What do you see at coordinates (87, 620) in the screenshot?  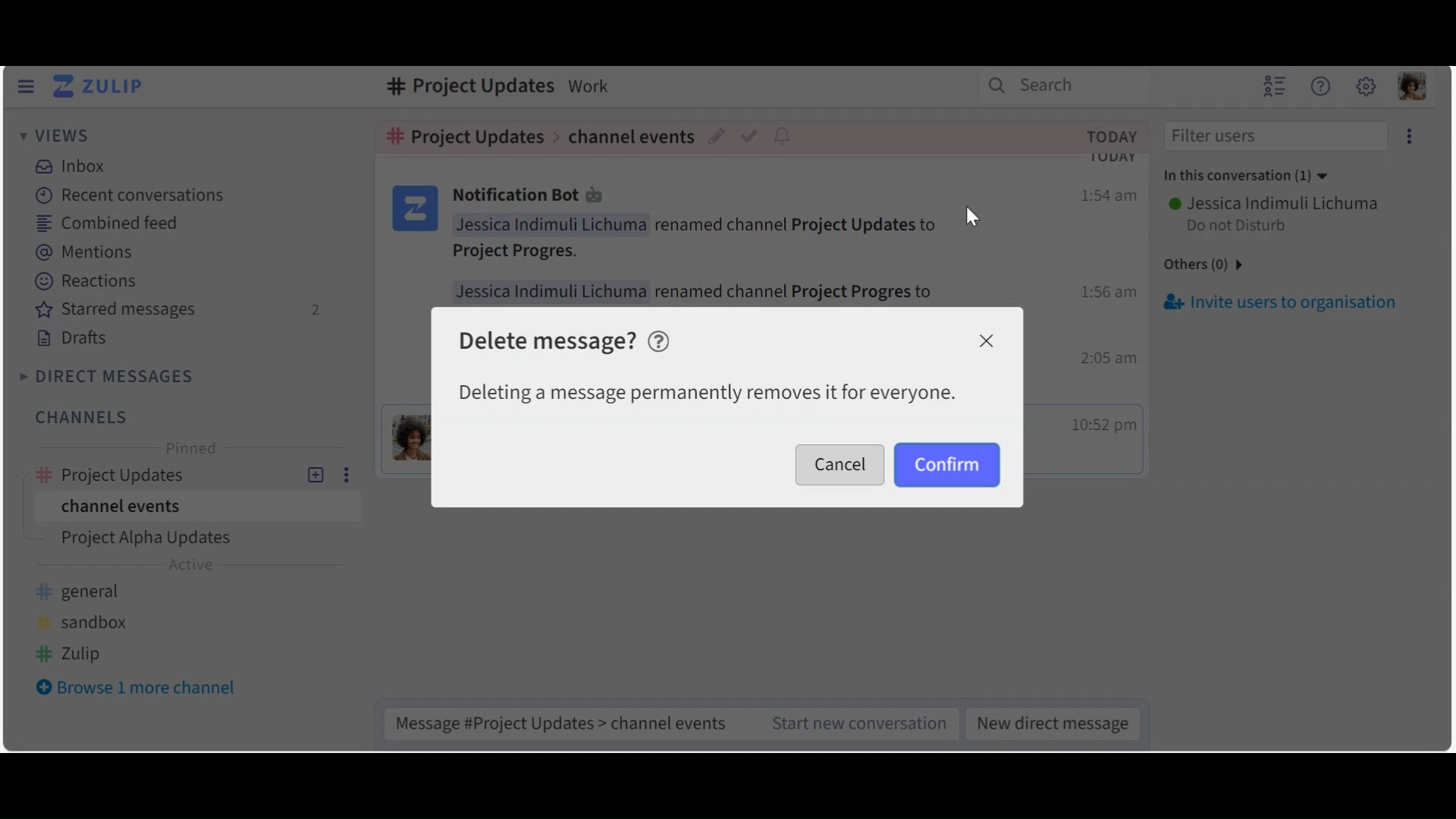 I see `sandbox` at bounding box center [87, 620].